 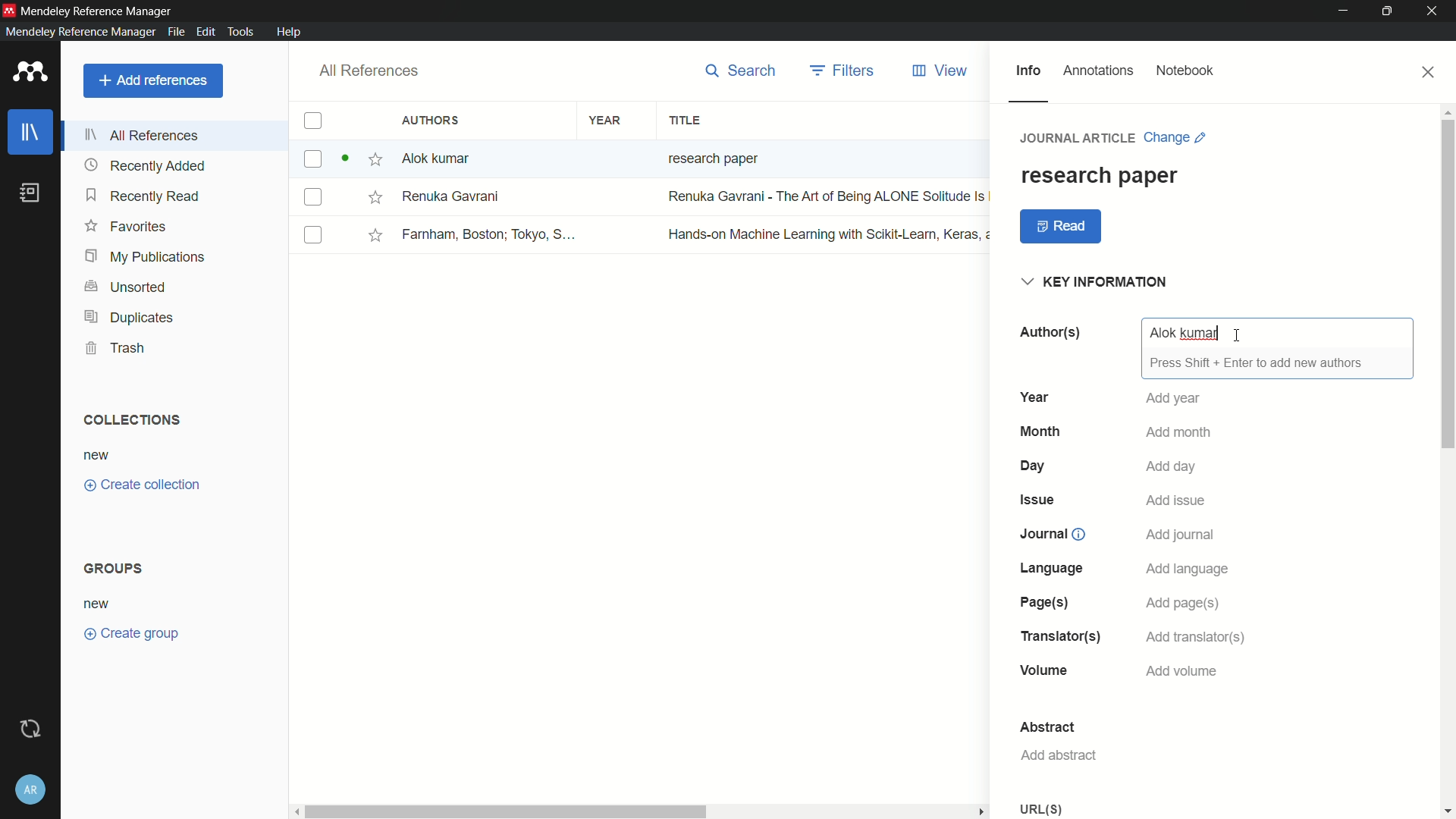 I want to click on add language, so click(x=1188, y=568).